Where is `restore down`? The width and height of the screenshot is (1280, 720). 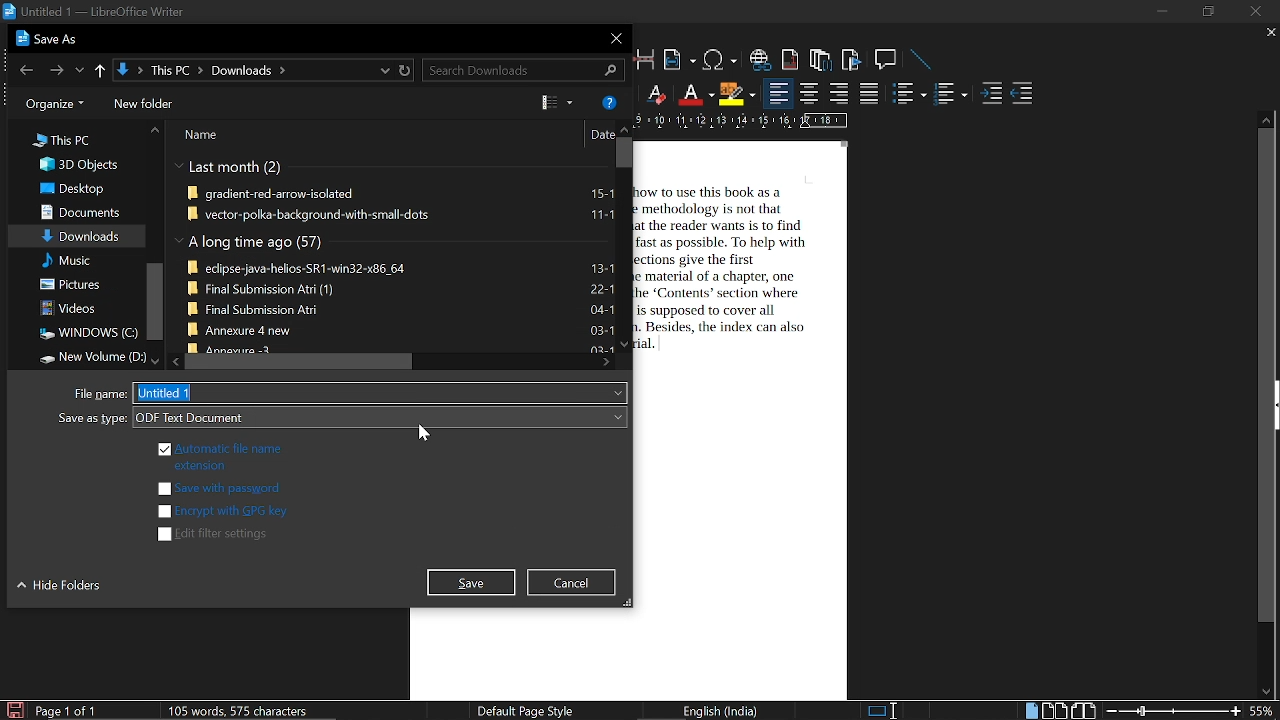
restore down is located at coordinates (1206, 12).